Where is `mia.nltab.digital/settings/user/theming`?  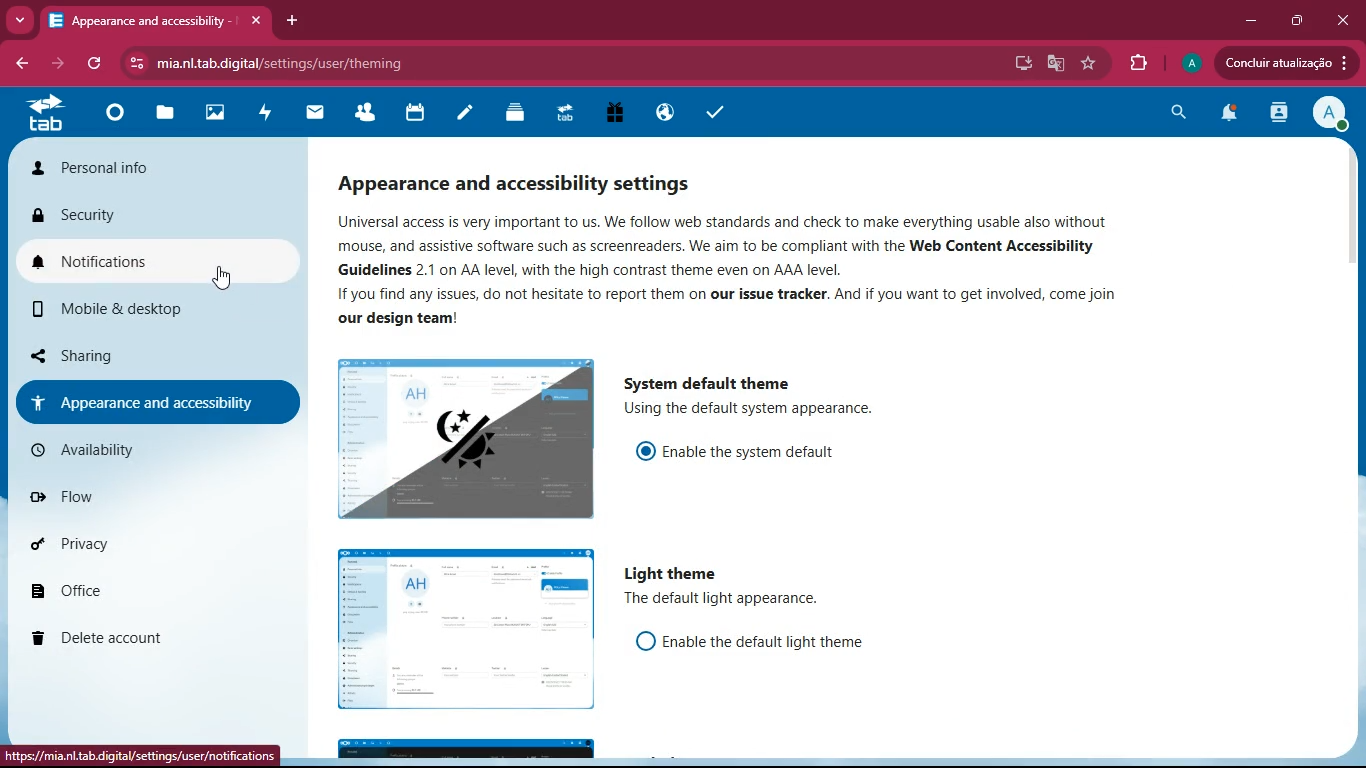 mia.nltab.digital/settings/user/theming is located at coordinates (282, 62).